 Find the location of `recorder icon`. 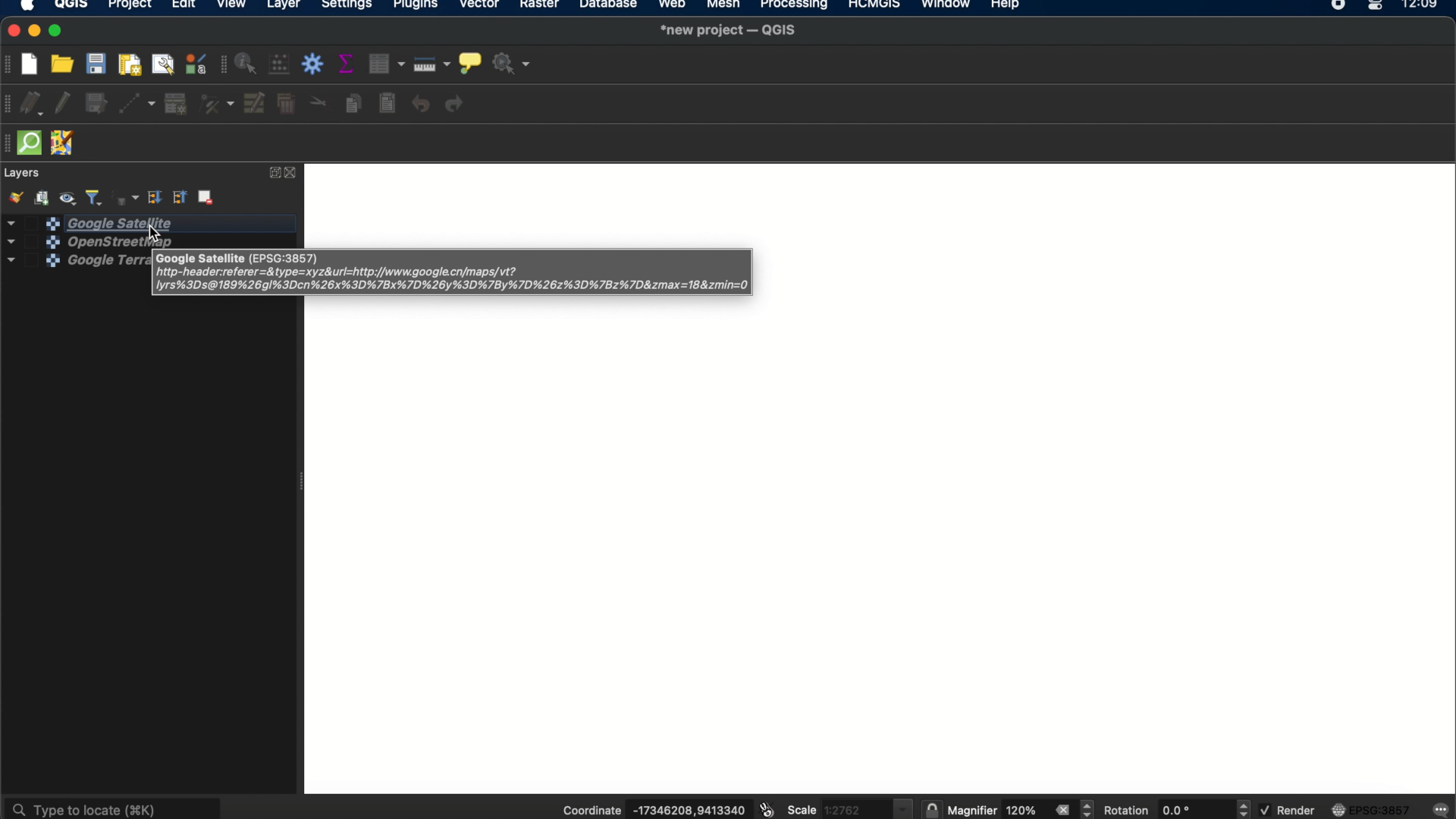

recorder icon is located at coordinates (1339, 6).